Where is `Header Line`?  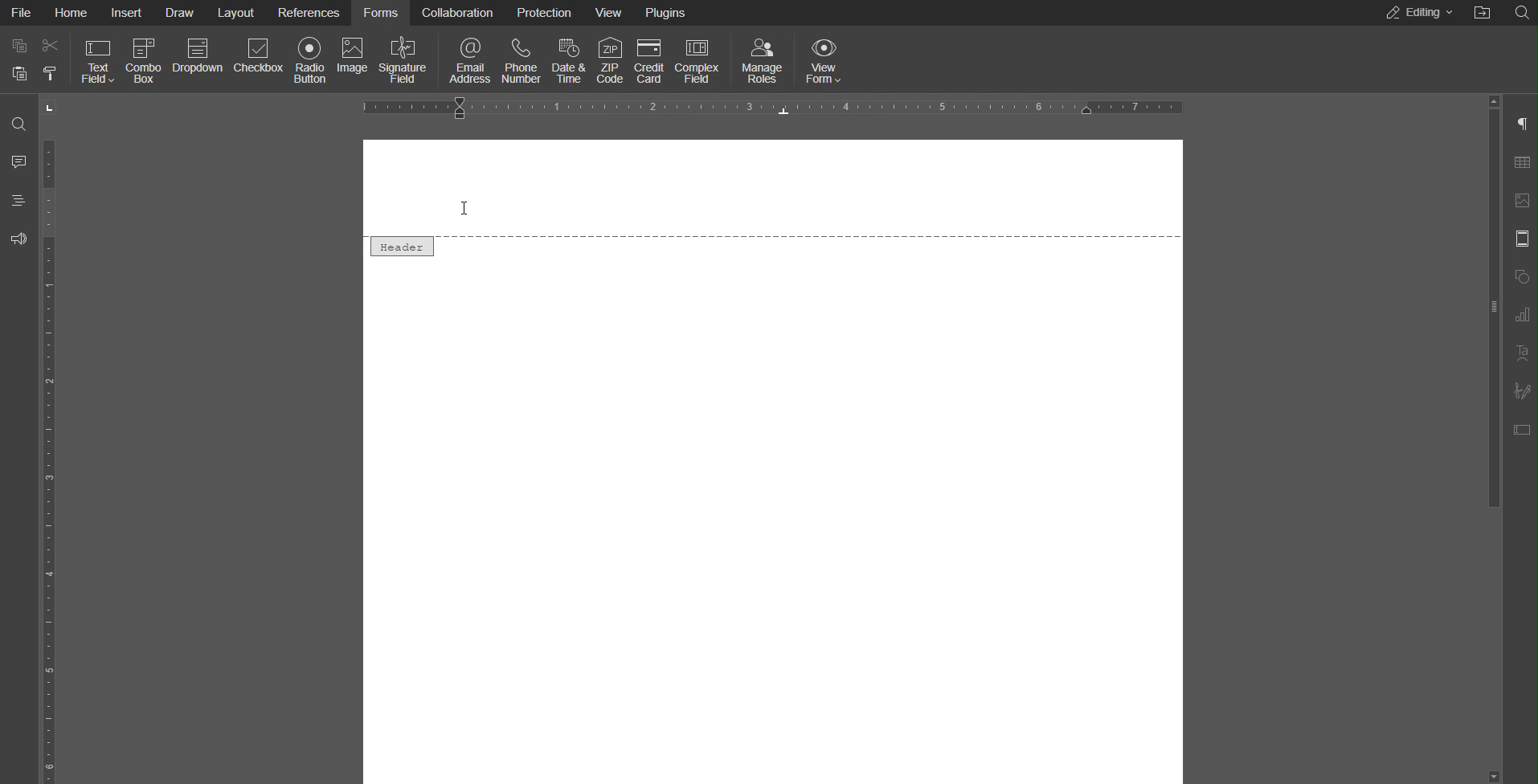
Header Line is located at coordinates (772, 243).